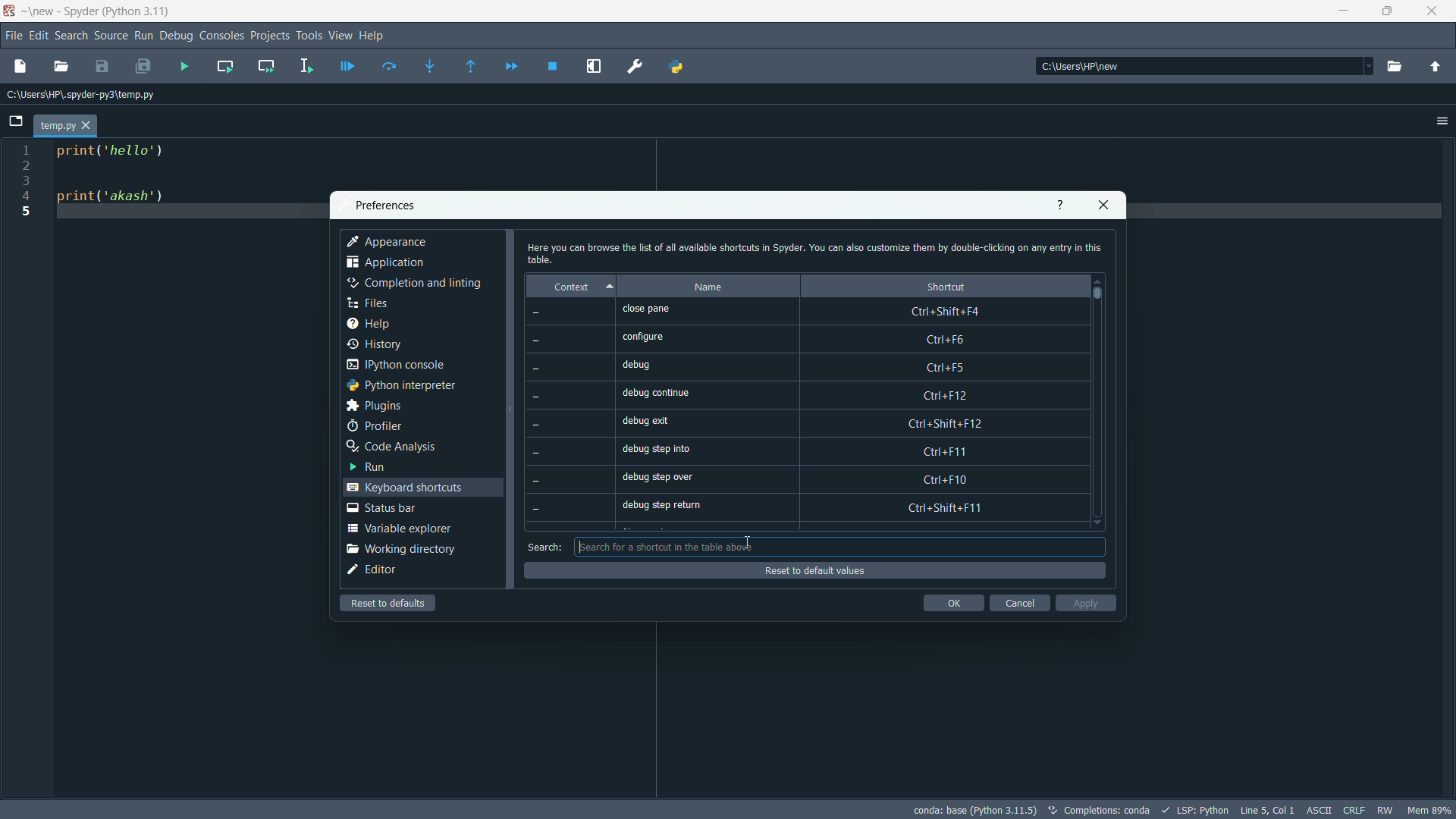  What do you see at coordinates (39, 34) in the screenshot?
I see `edit menu` at bounding box center [39, 34].